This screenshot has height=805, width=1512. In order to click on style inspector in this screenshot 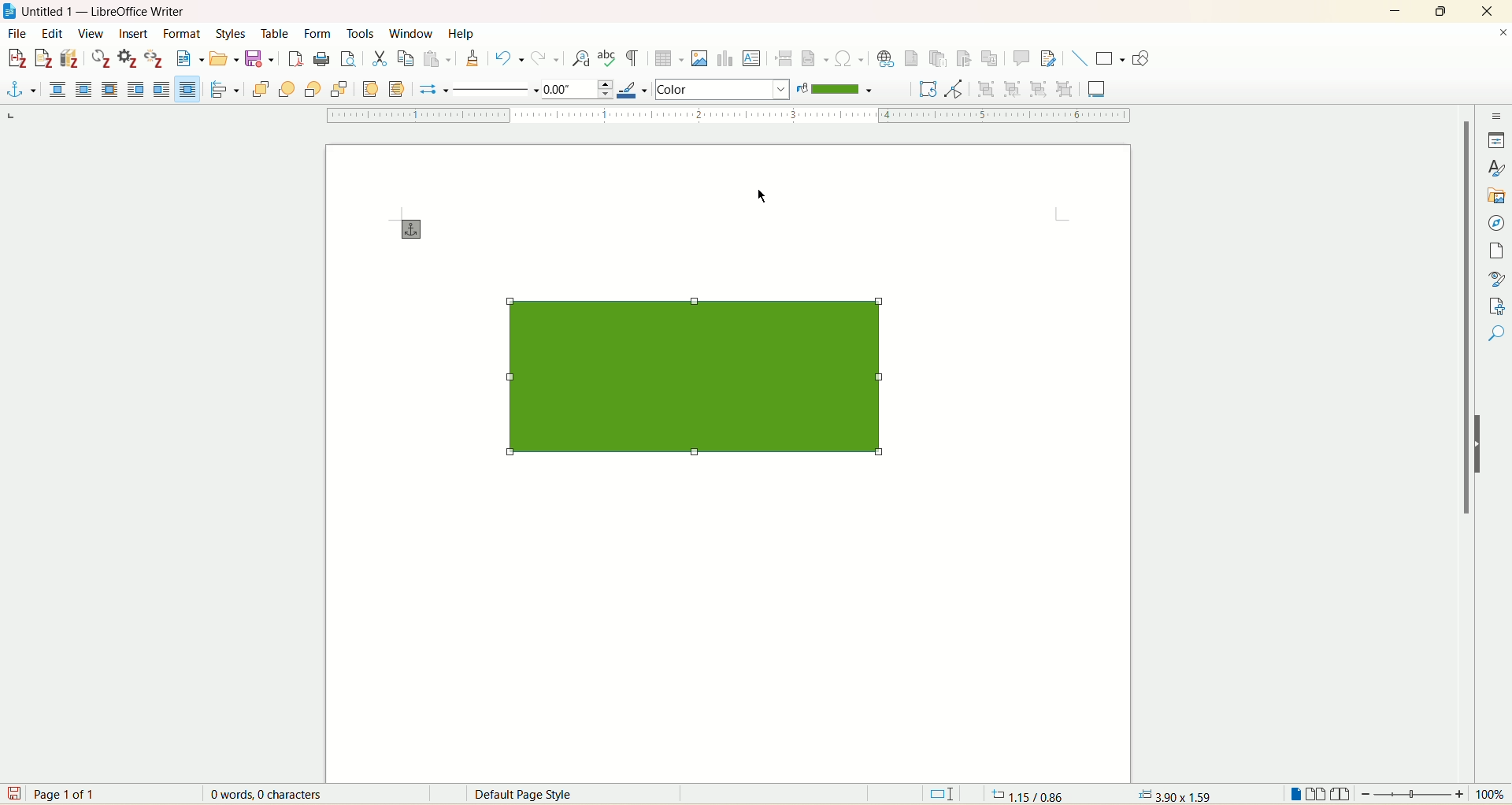, I will do `click(1495, 280)`.